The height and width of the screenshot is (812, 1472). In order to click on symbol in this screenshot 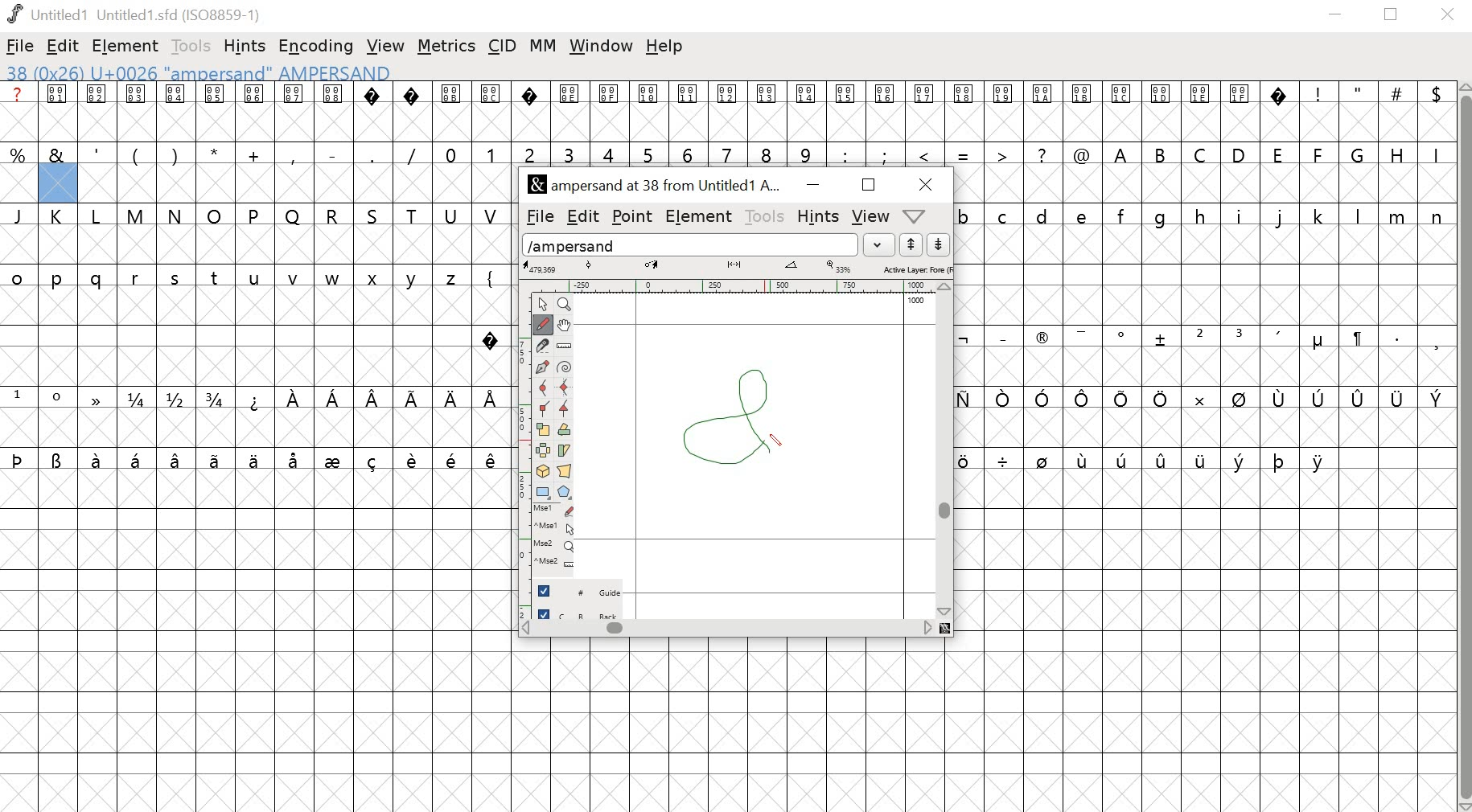, I will do `click(333, 397)`.